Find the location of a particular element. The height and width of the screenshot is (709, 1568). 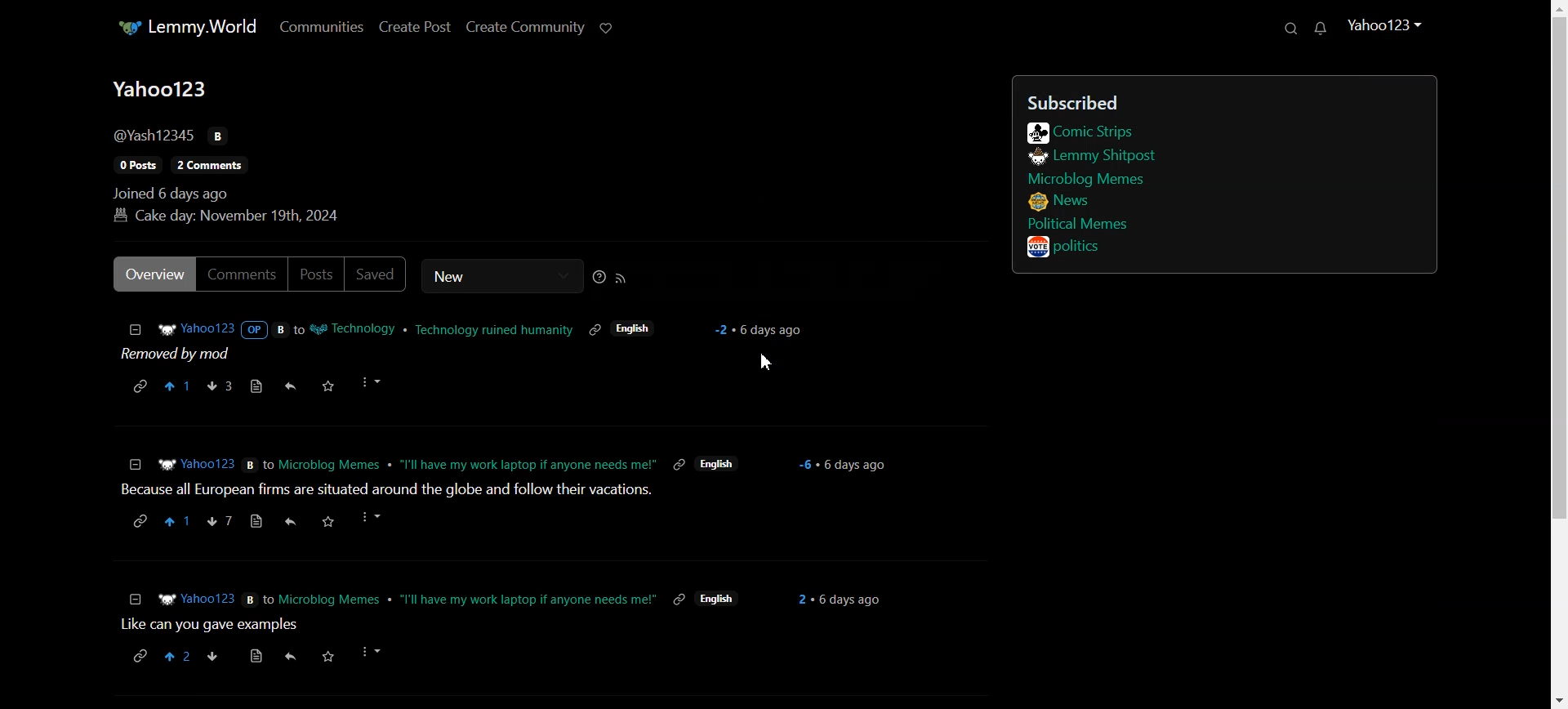

2 6 days ago is located at coordinates (836, 599).